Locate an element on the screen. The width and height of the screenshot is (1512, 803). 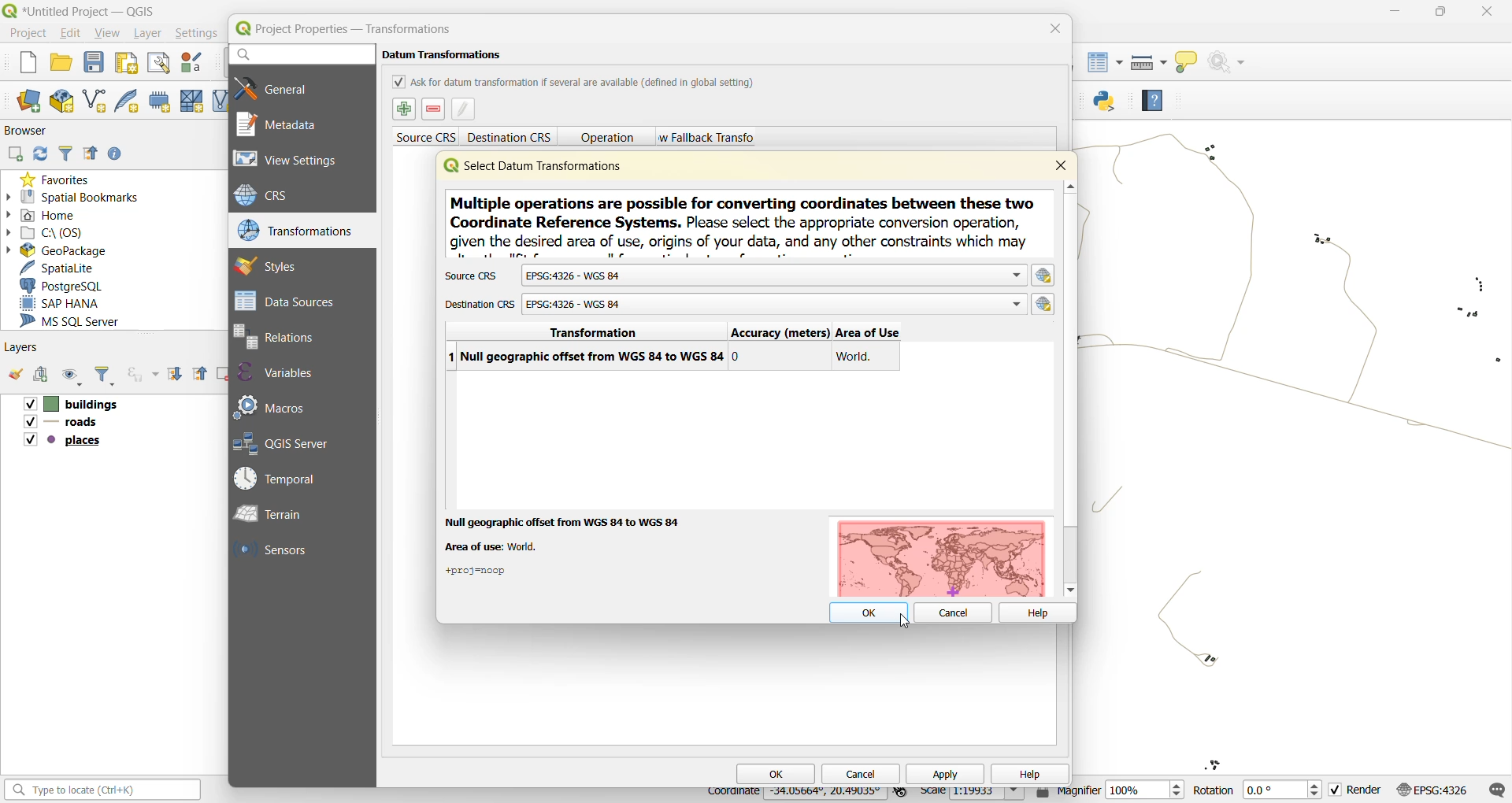
scroll up is located at coordinates (1071, 185).